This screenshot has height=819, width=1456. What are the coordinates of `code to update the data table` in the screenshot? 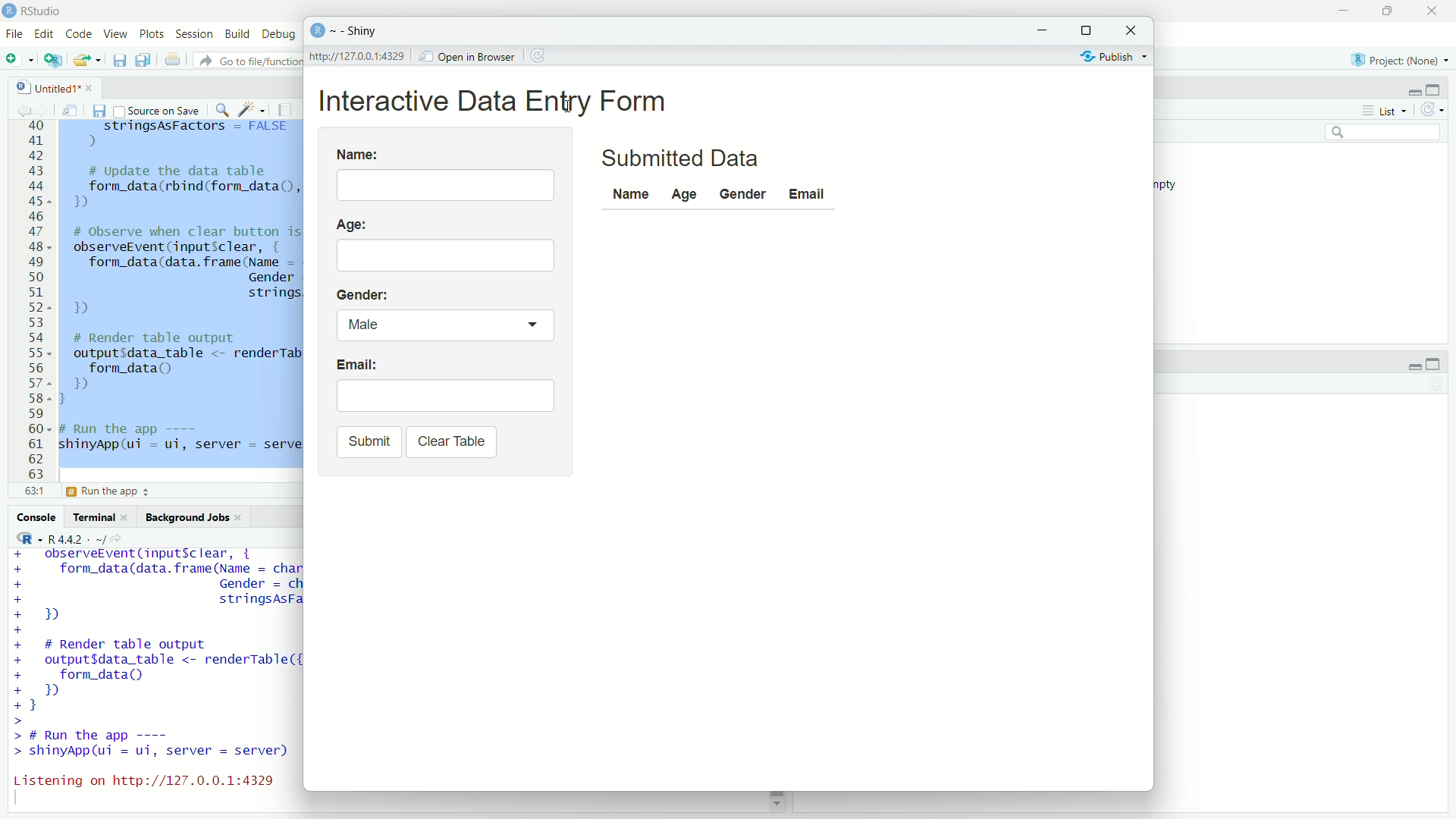 It's located at (181, 188).